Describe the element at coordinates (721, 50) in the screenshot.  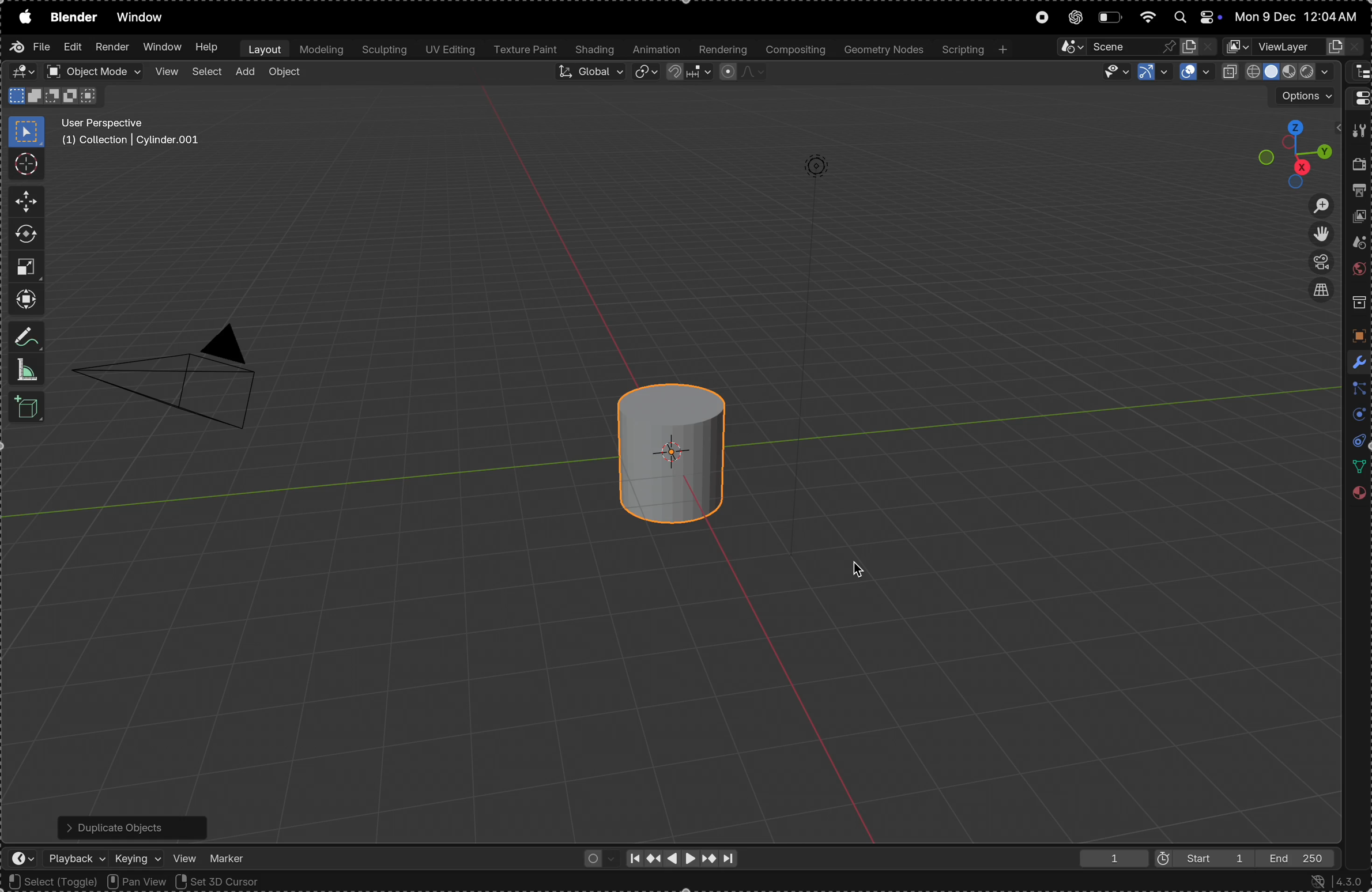
I see `rendering` at that location.